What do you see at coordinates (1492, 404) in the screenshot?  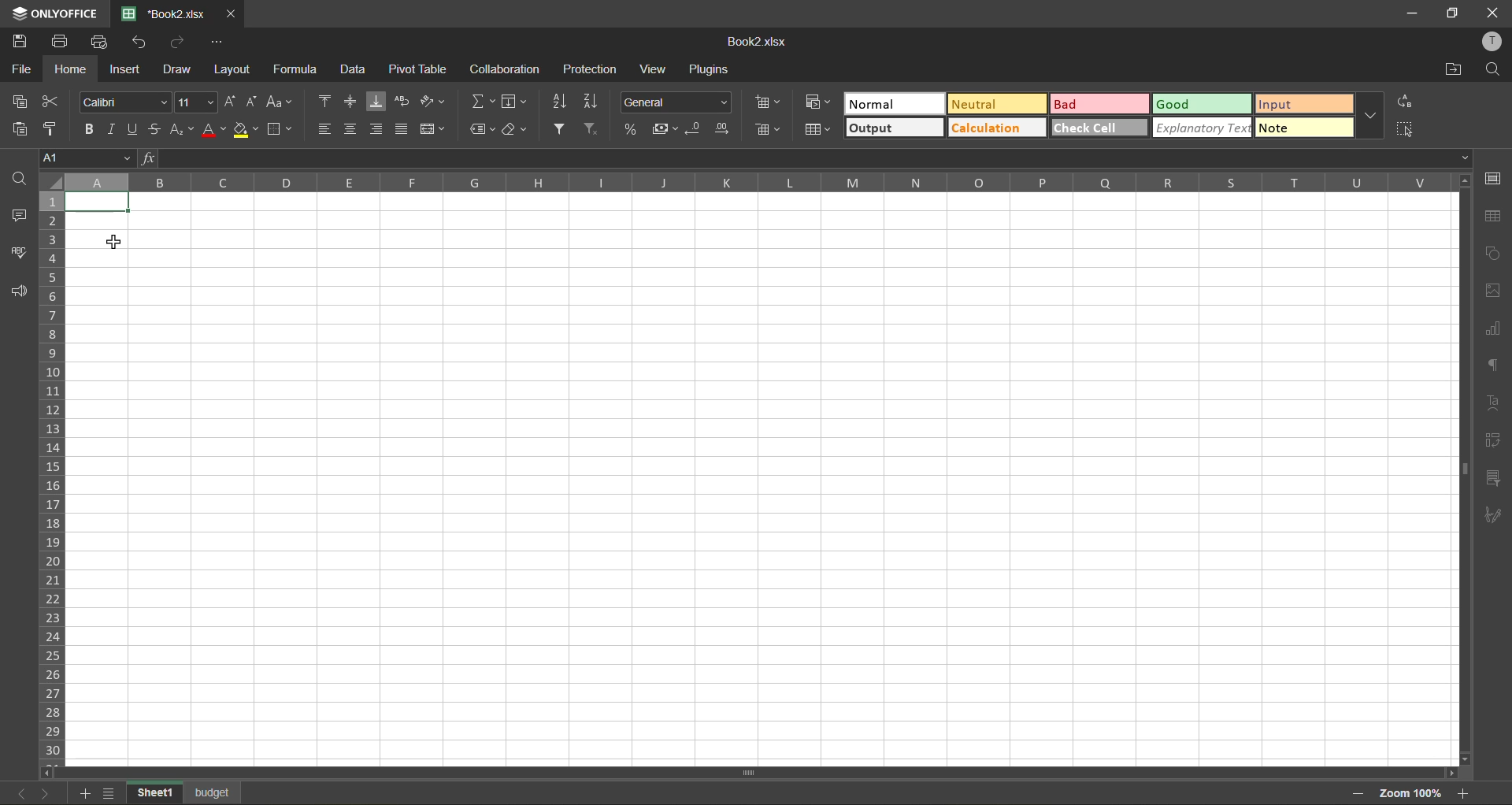 I see `text` at bounding box center [1492, 404].